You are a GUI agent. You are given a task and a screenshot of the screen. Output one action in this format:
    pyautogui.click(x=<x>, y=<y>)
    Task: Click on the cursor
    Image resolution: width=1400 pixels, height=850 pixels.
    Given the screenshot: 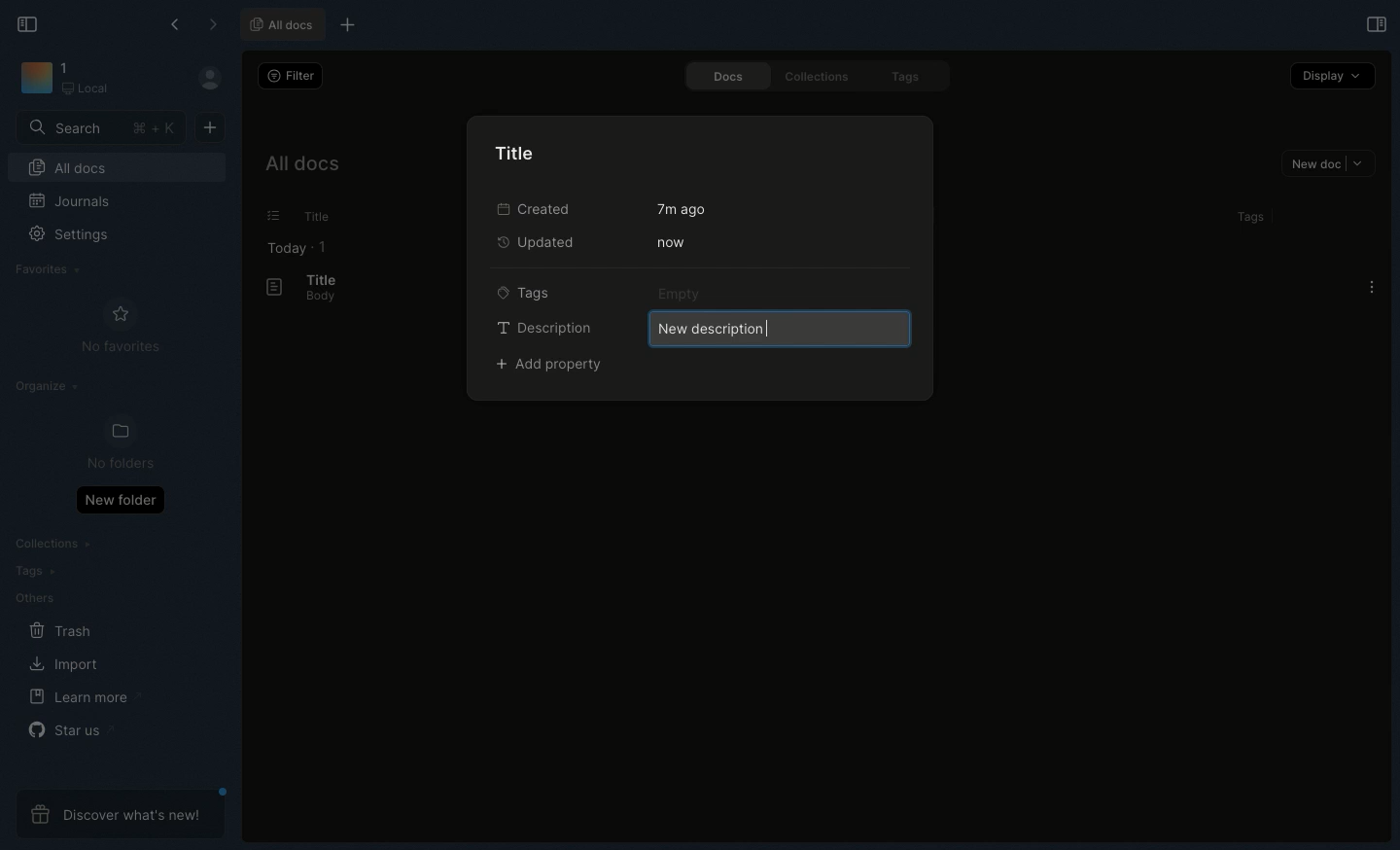 What is the action you would take?
    pyautogui.click(x=771, y=332)
    